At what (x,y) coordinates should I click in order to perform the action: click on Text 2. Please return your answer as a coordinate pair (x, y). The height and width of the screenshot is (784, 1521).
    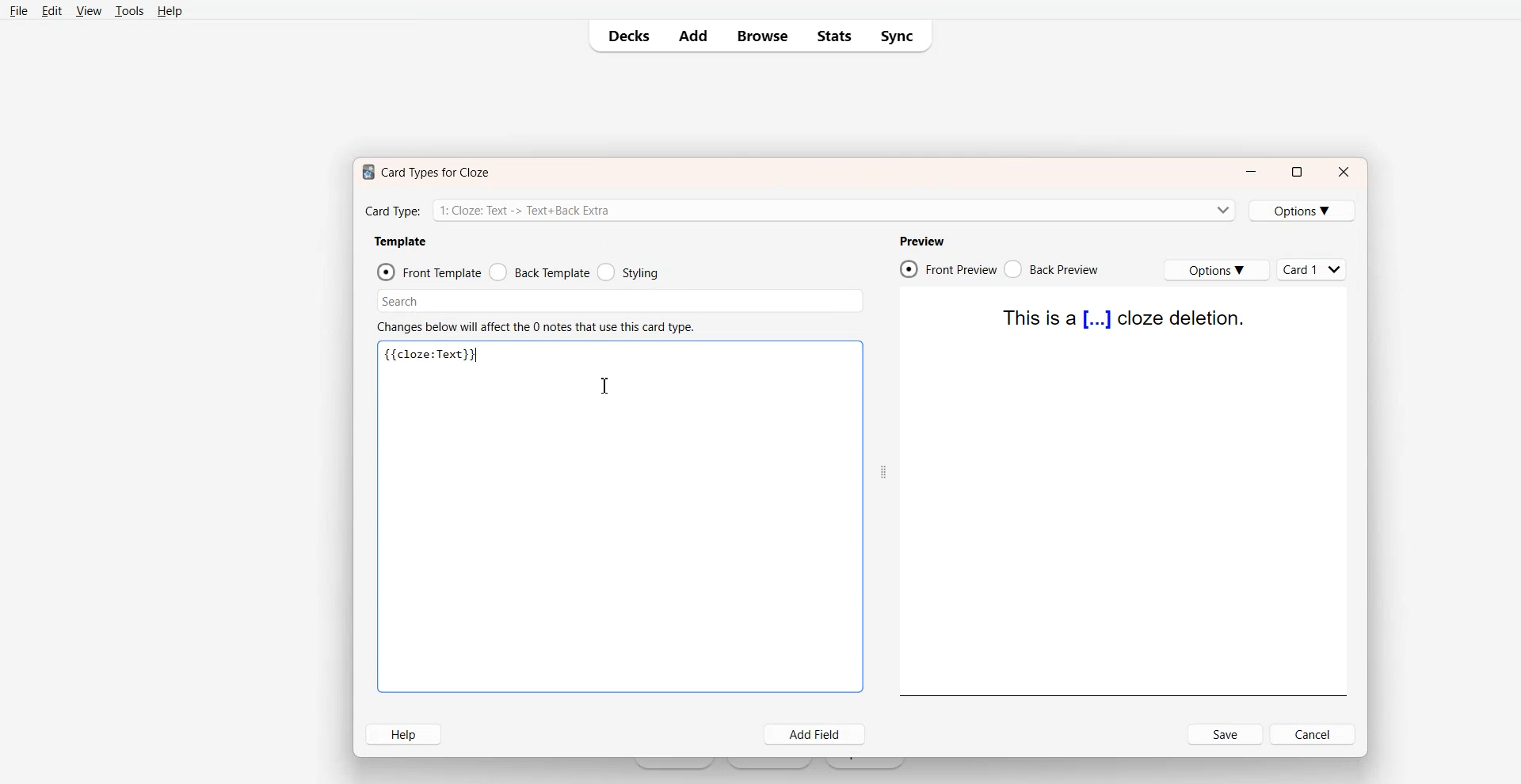
    Looking at the image, I should click on (535, 325).